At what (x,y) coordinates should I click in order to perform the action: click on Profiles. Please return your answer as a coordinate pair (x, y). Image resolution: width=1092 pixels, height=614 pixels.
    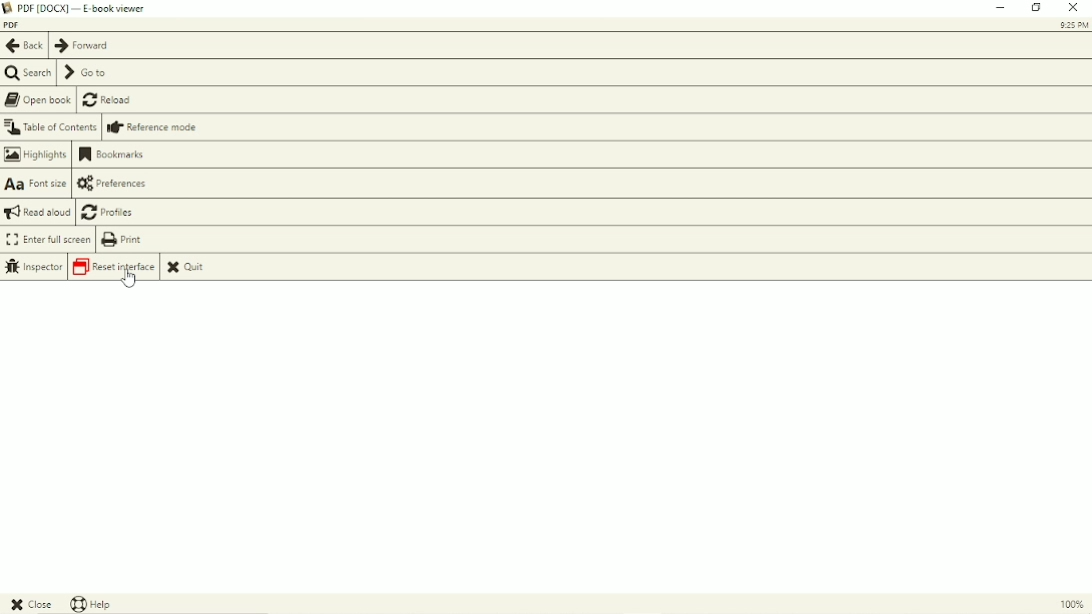
    Looking at the image, I should click on (109, 212).